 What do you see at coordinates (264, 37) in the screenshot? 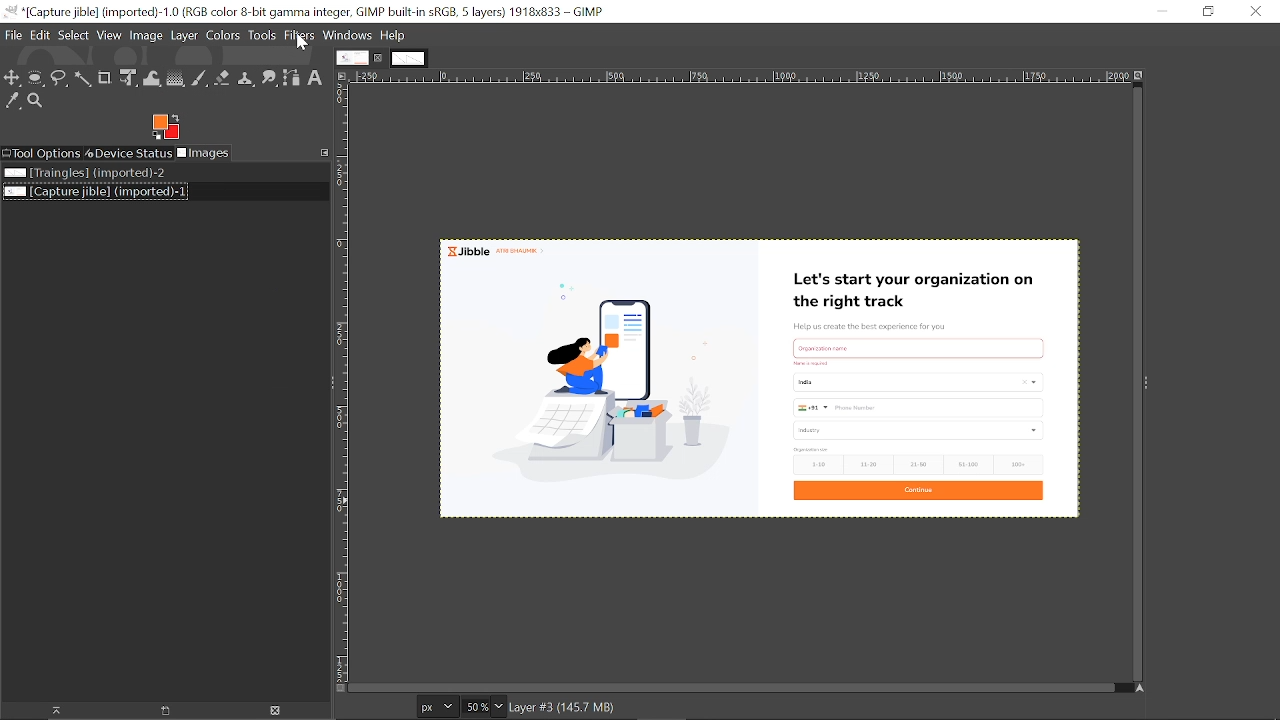
I see `Tools` at bounding box center [264, 37].